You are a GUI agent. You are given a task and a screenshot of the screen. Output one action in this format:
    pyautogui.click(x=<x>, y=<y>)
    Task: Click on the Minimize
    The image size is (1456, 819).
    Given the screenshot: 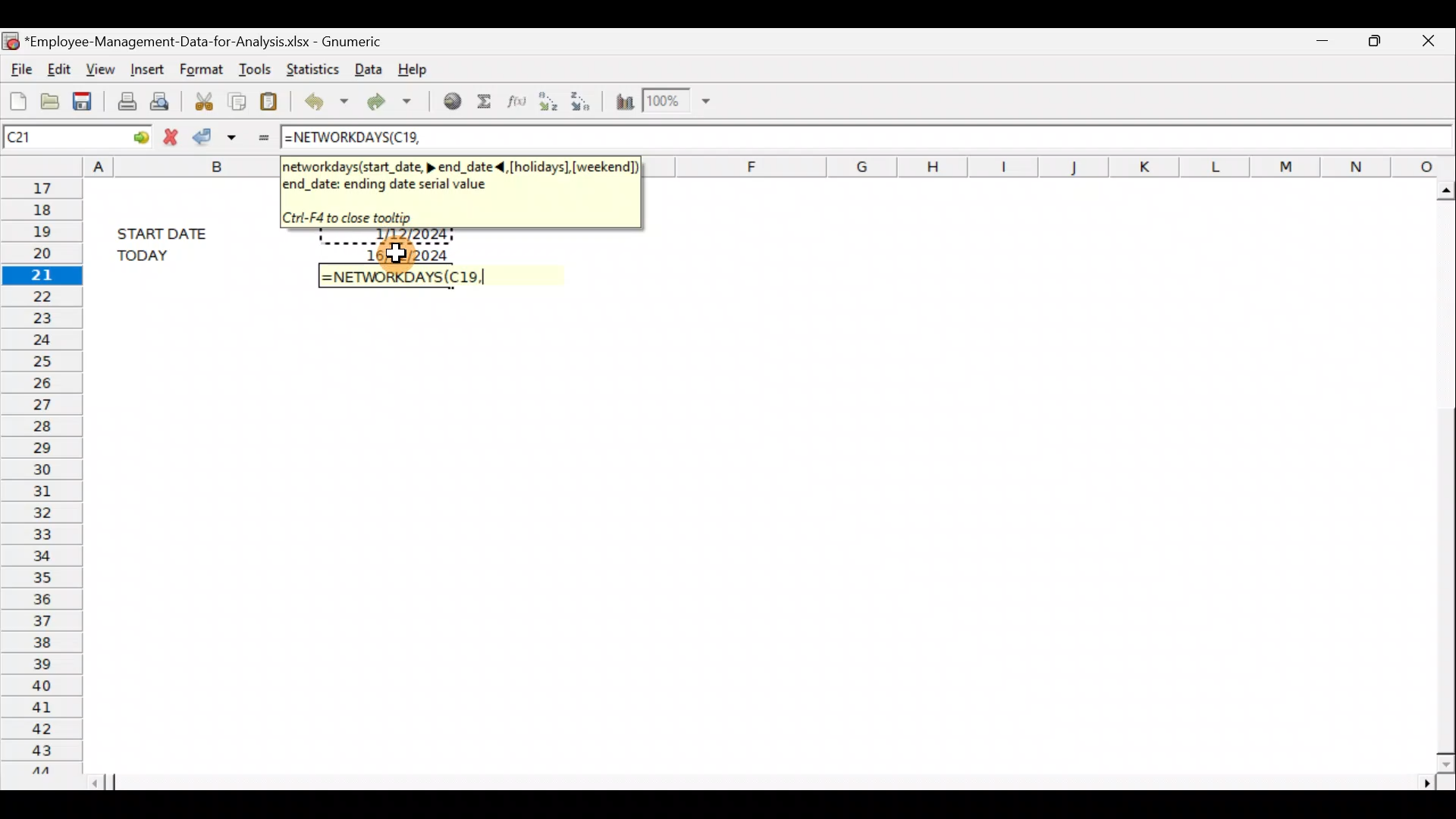 What is the action you would take?
    pyautogui.click(x=1323, y=44)
    